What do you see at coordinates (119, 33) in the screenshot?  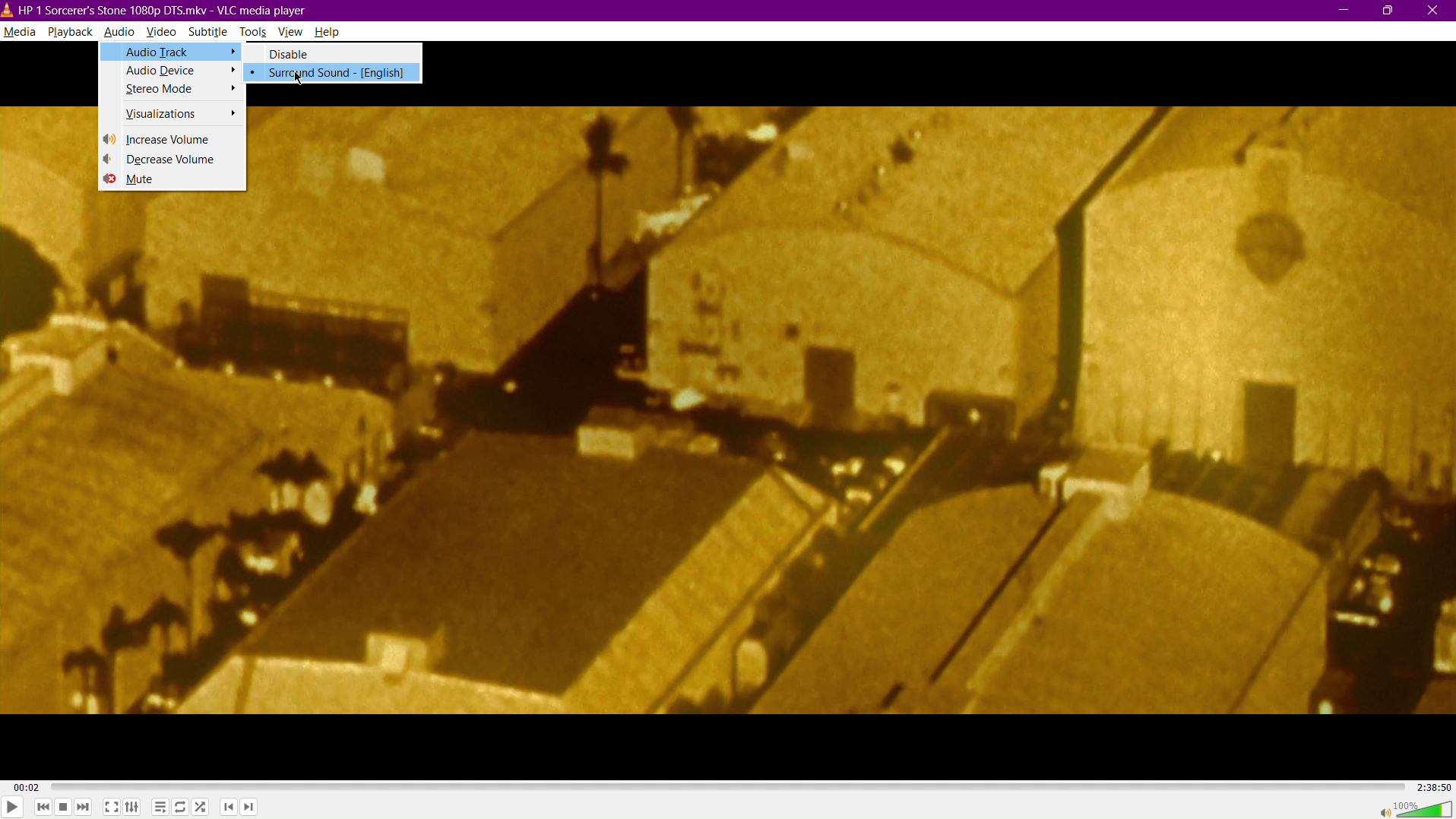 I see `Audio` at bounding box center [119, 33].